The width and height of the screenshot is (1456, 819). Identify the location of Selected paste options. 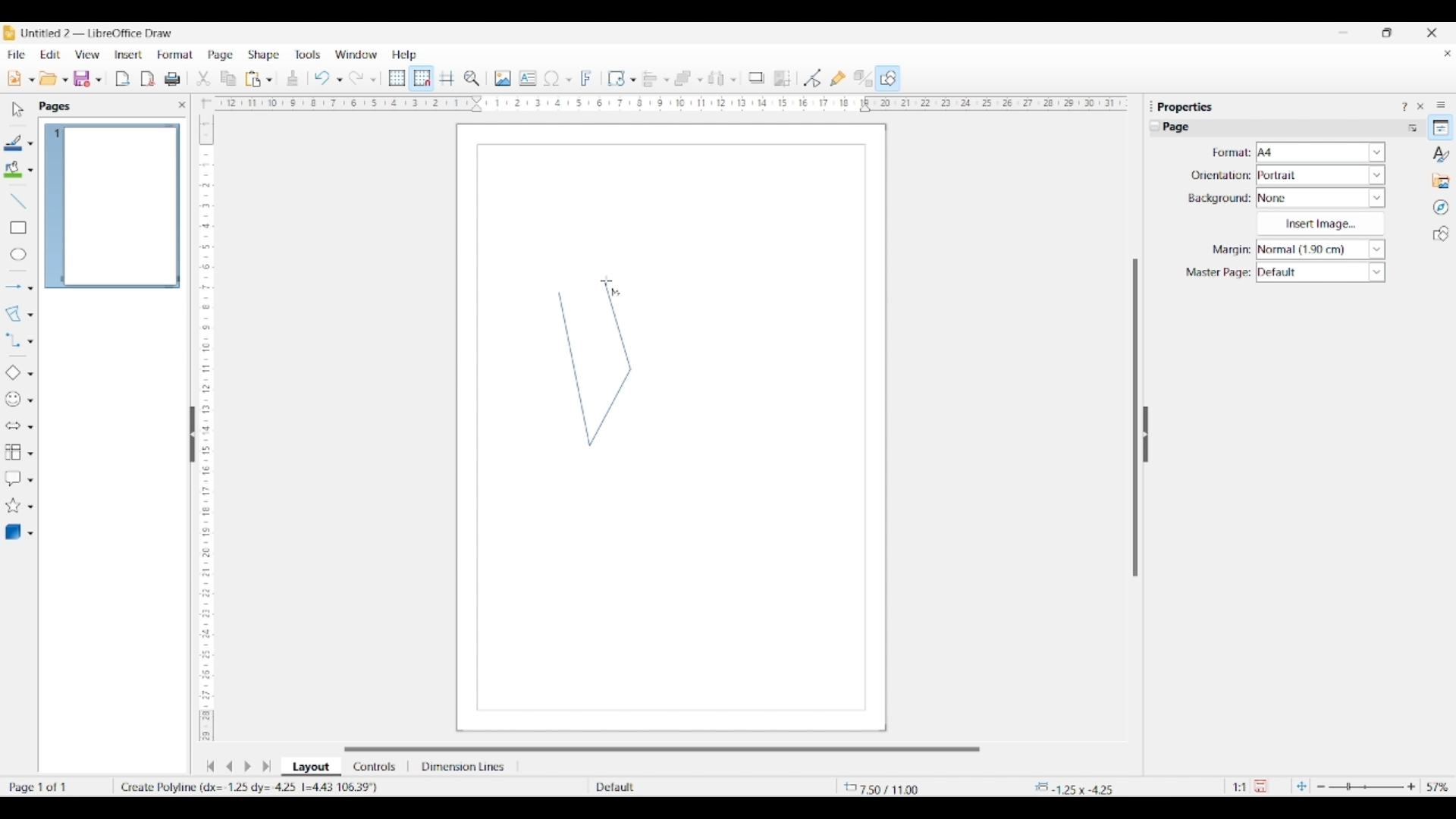
(253, 79).